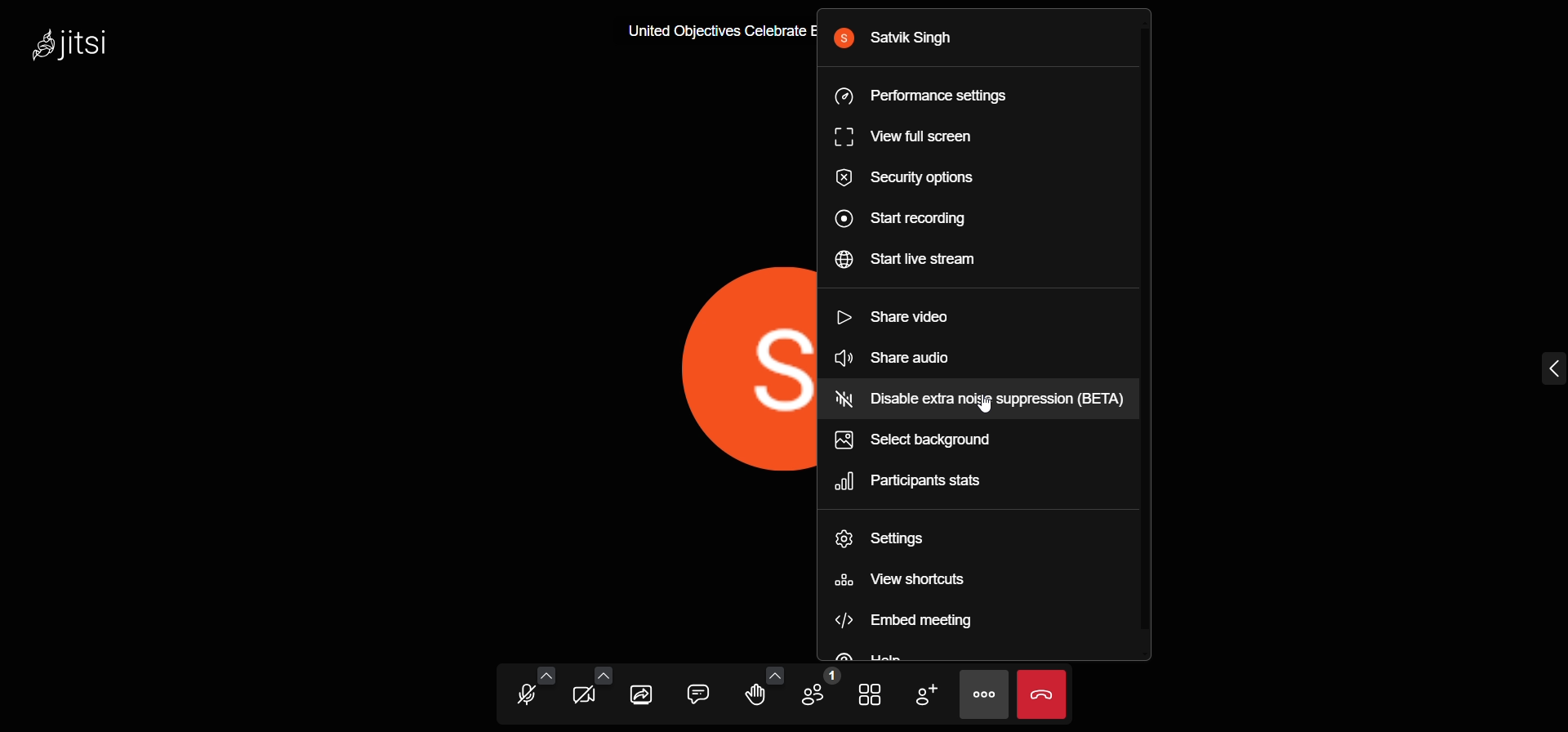  Describe the element at coordinates (739, 361) in the screenshot. I see `display picture` at that location.